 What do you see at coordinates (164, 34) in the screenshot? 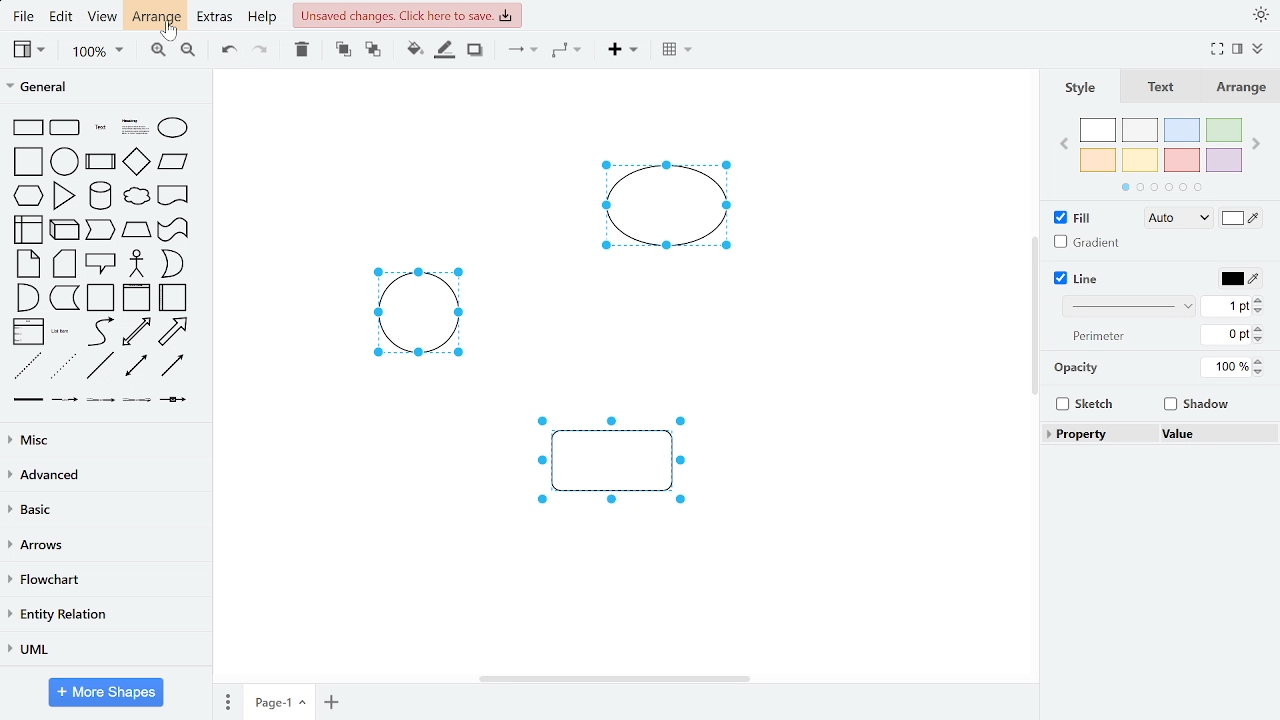
I see `Cursor` at bounding box center [164, 34].